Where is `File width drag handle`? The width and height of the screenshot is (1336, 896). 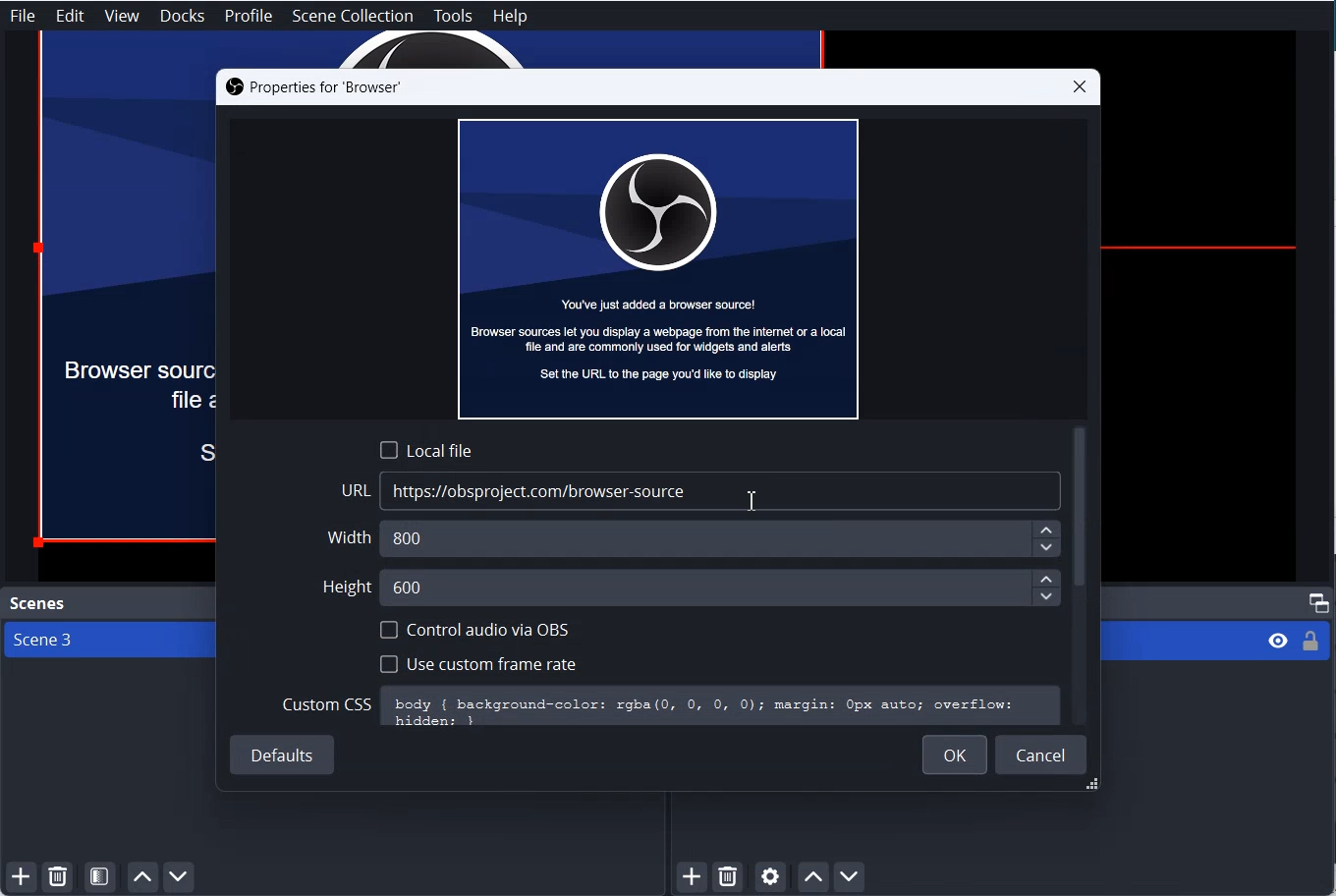
File width drag handle is located at coordinates (1094, 786).